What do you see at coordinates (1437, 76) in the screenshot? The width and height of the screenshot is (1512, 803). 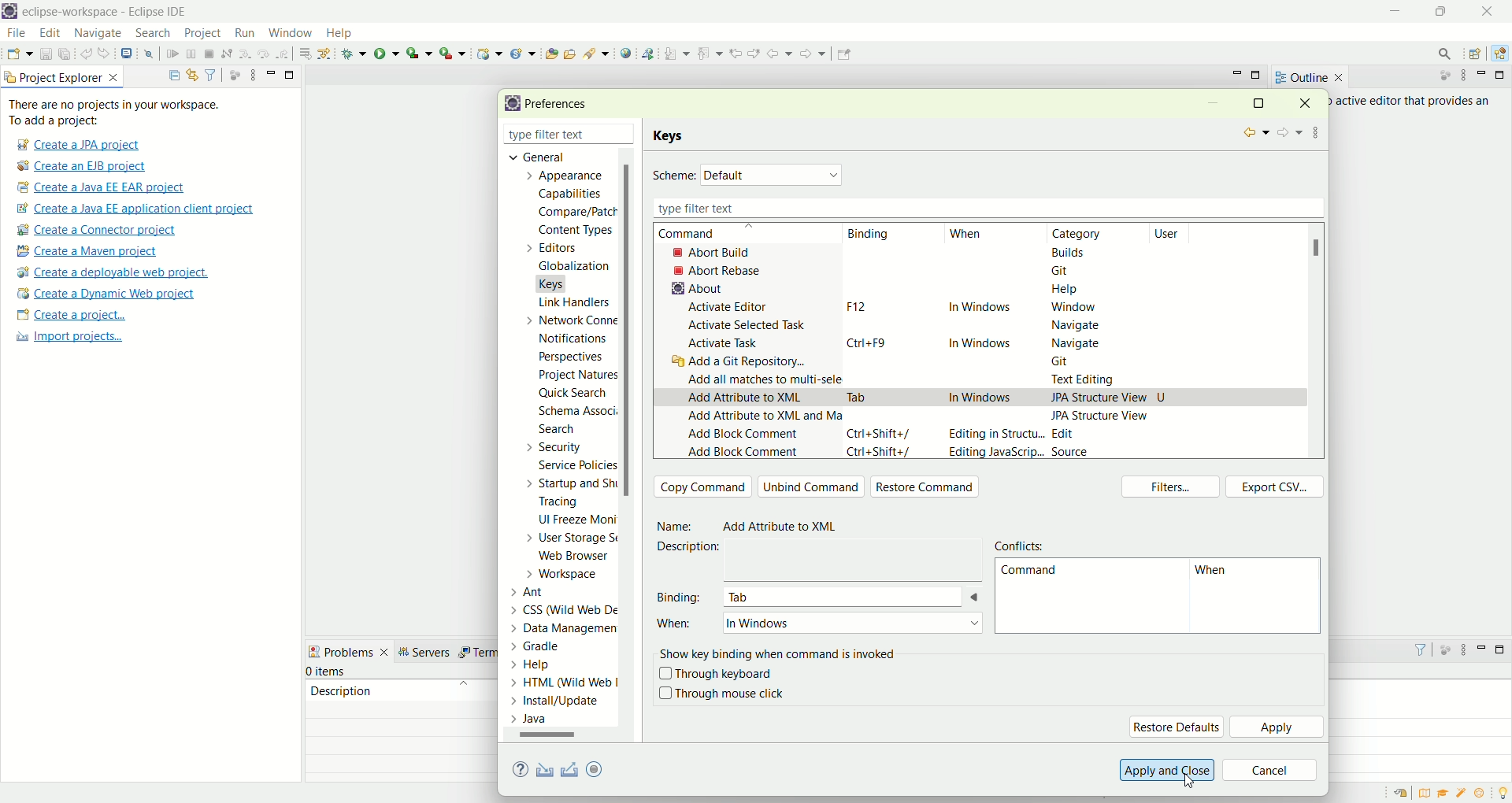 I see `focus on active task` at bounding box center [1437, 76].